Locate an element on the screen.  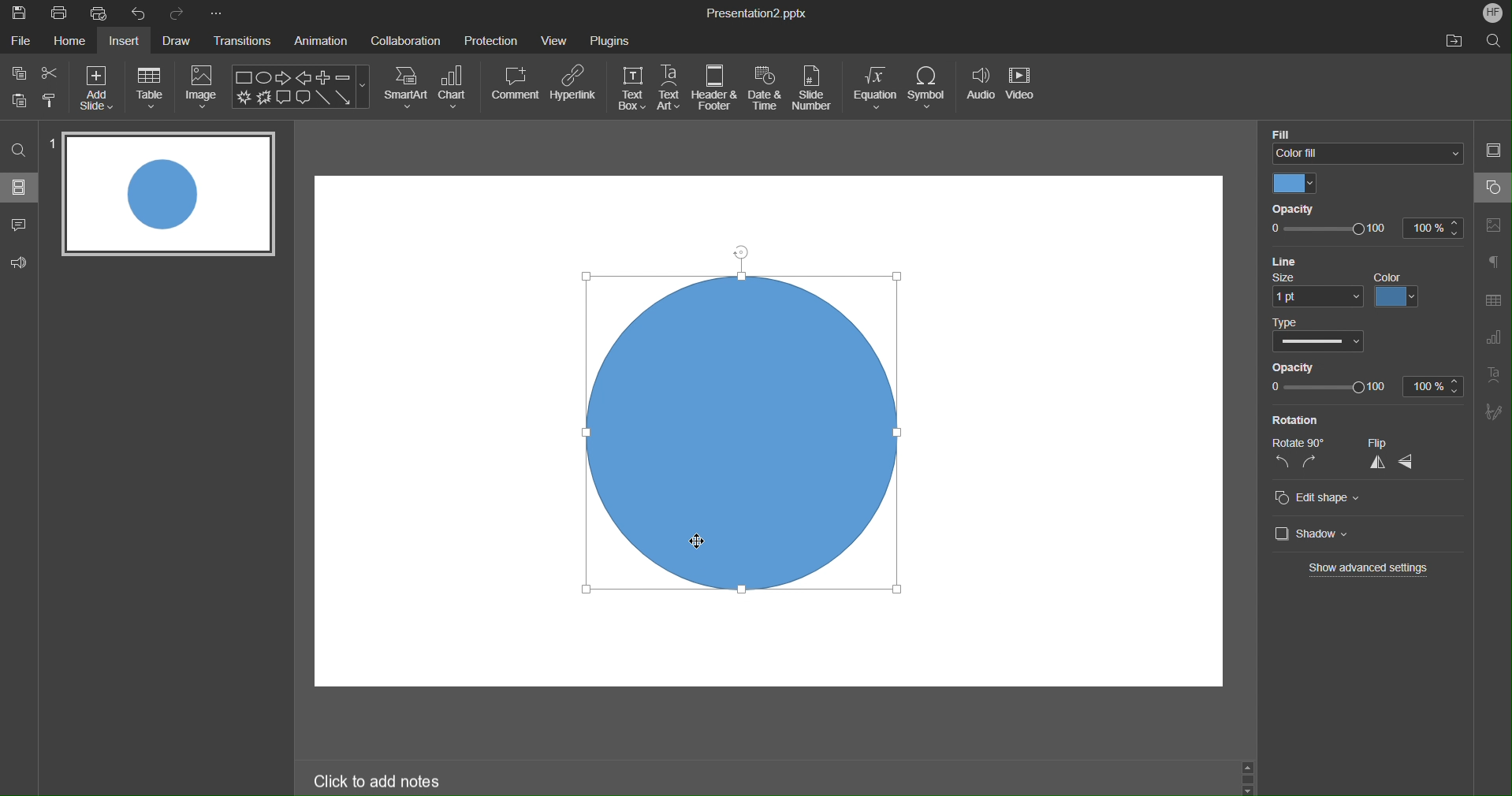
Rotate 90 is located at coordinates (1295, 440).